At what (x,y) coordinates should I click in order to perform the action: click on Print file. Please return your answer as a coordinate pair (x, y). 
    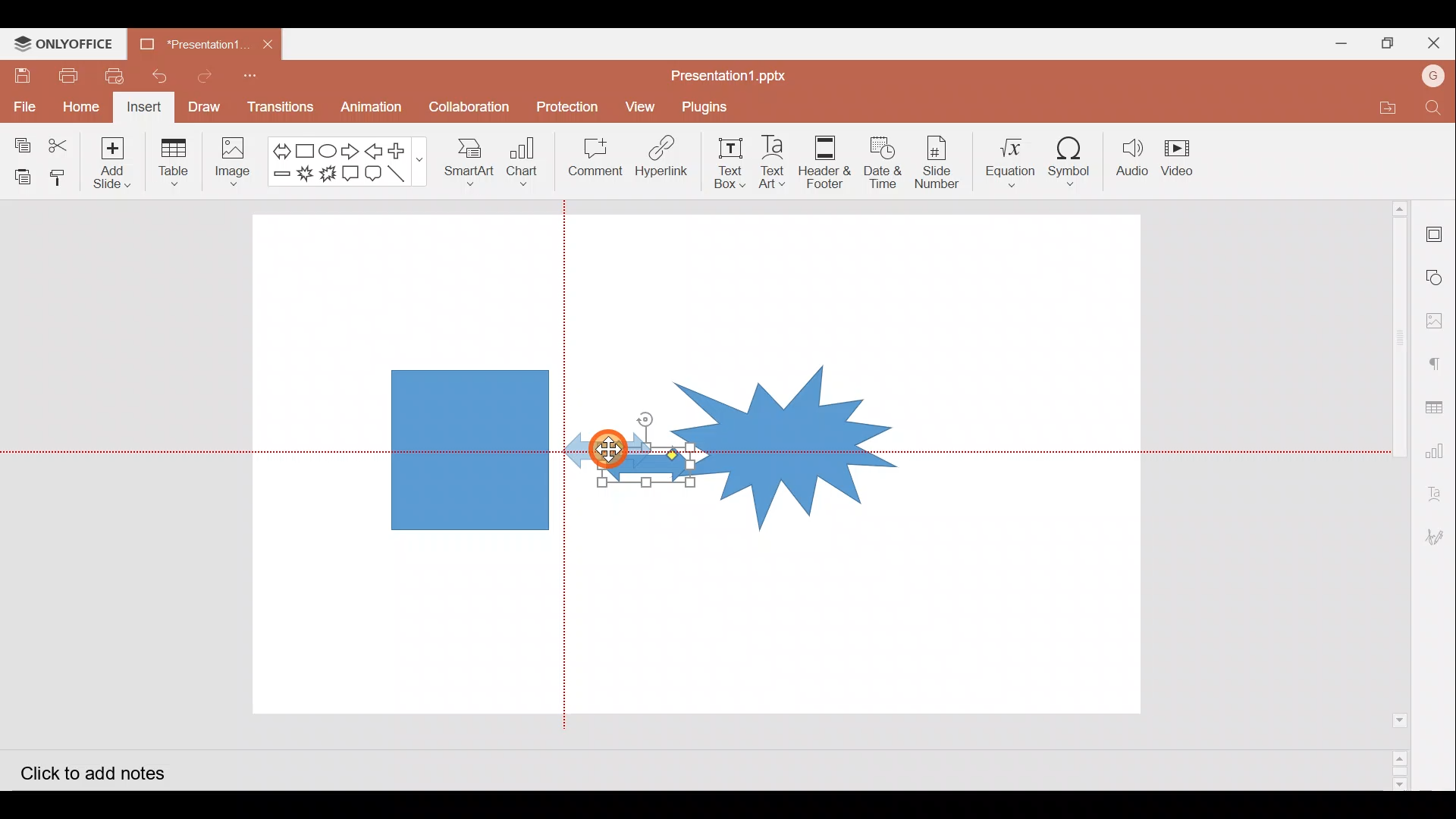
    Looking at the image, I should click on (65, 75).